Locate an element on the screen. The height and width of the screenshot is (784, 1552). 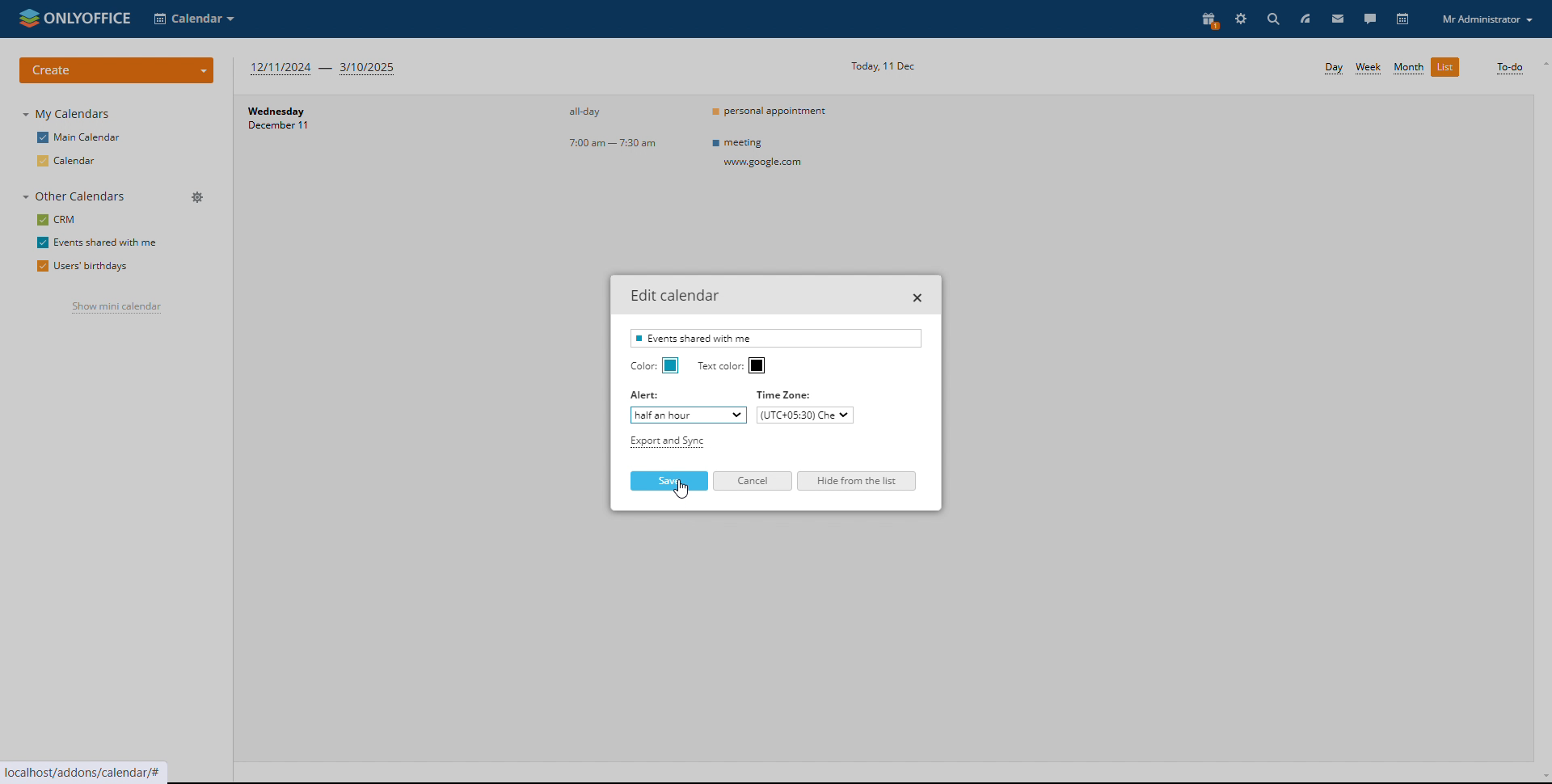
create is located at coordinates (117, 70).